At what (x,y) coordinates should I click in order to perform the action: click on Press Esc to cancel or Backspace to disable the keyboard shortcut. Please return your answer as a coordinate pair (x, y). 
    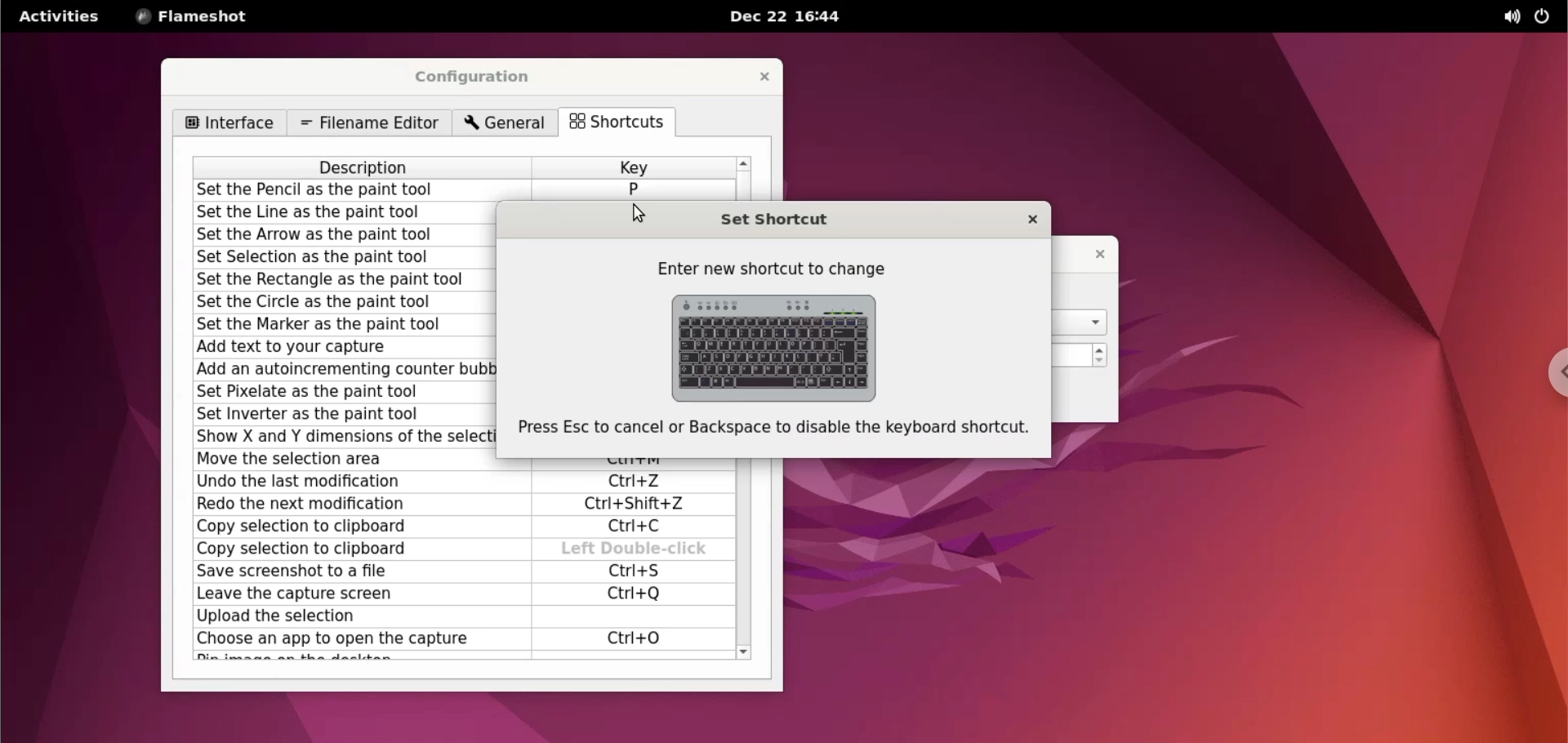
    Looking at the image, I should click on (780, 429).